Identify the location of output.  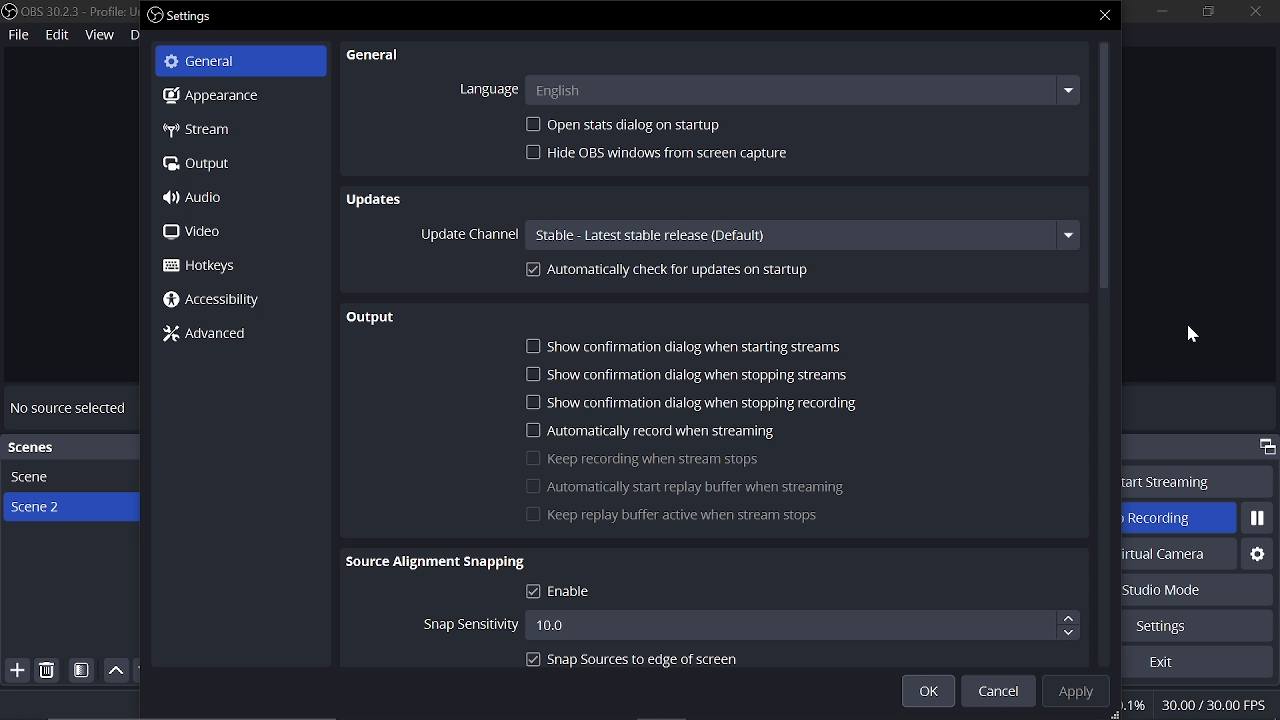
(238, 166).